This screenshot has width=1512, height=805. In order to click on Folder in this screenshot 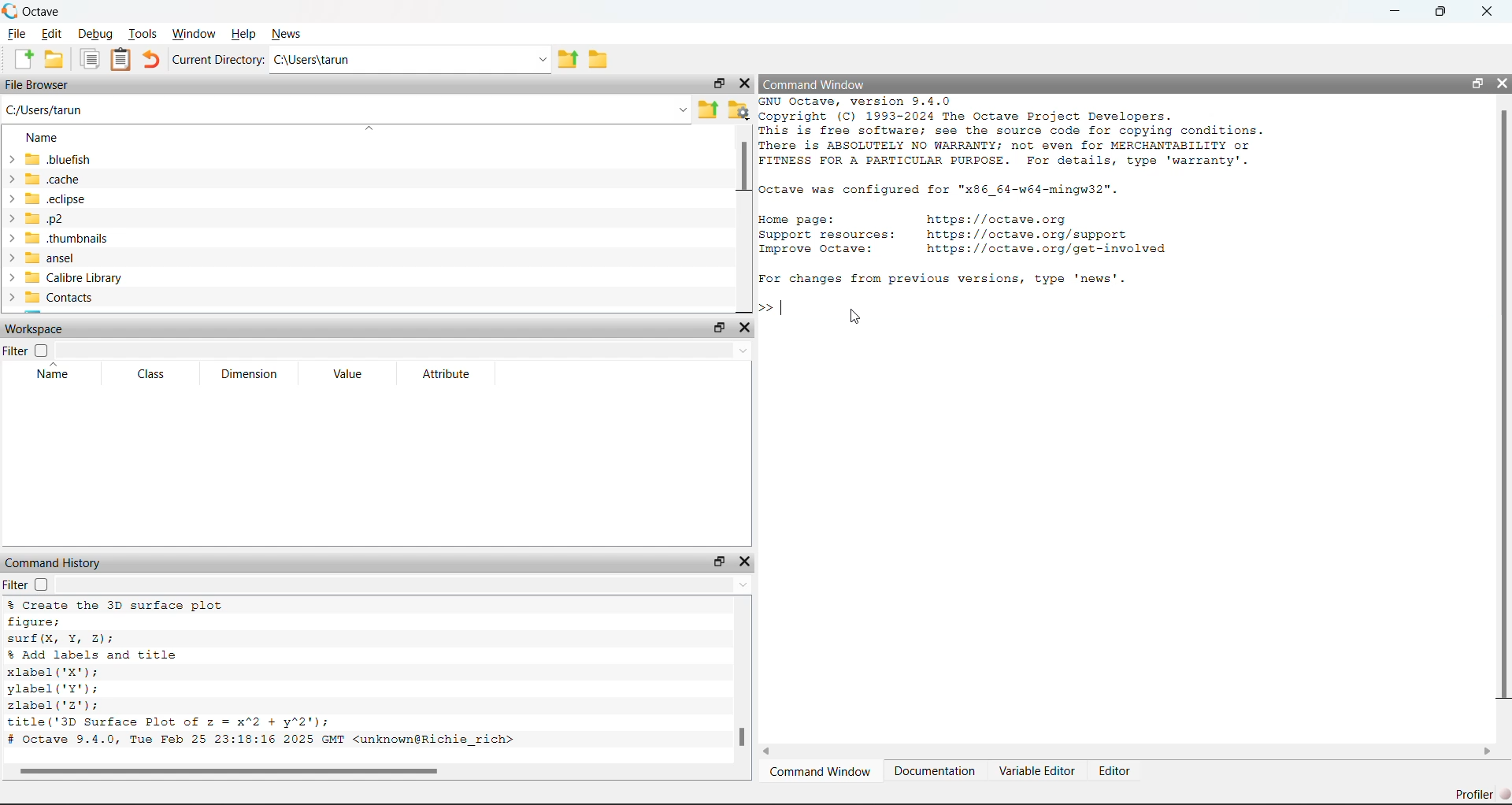, I will do `click(600, 59)`.